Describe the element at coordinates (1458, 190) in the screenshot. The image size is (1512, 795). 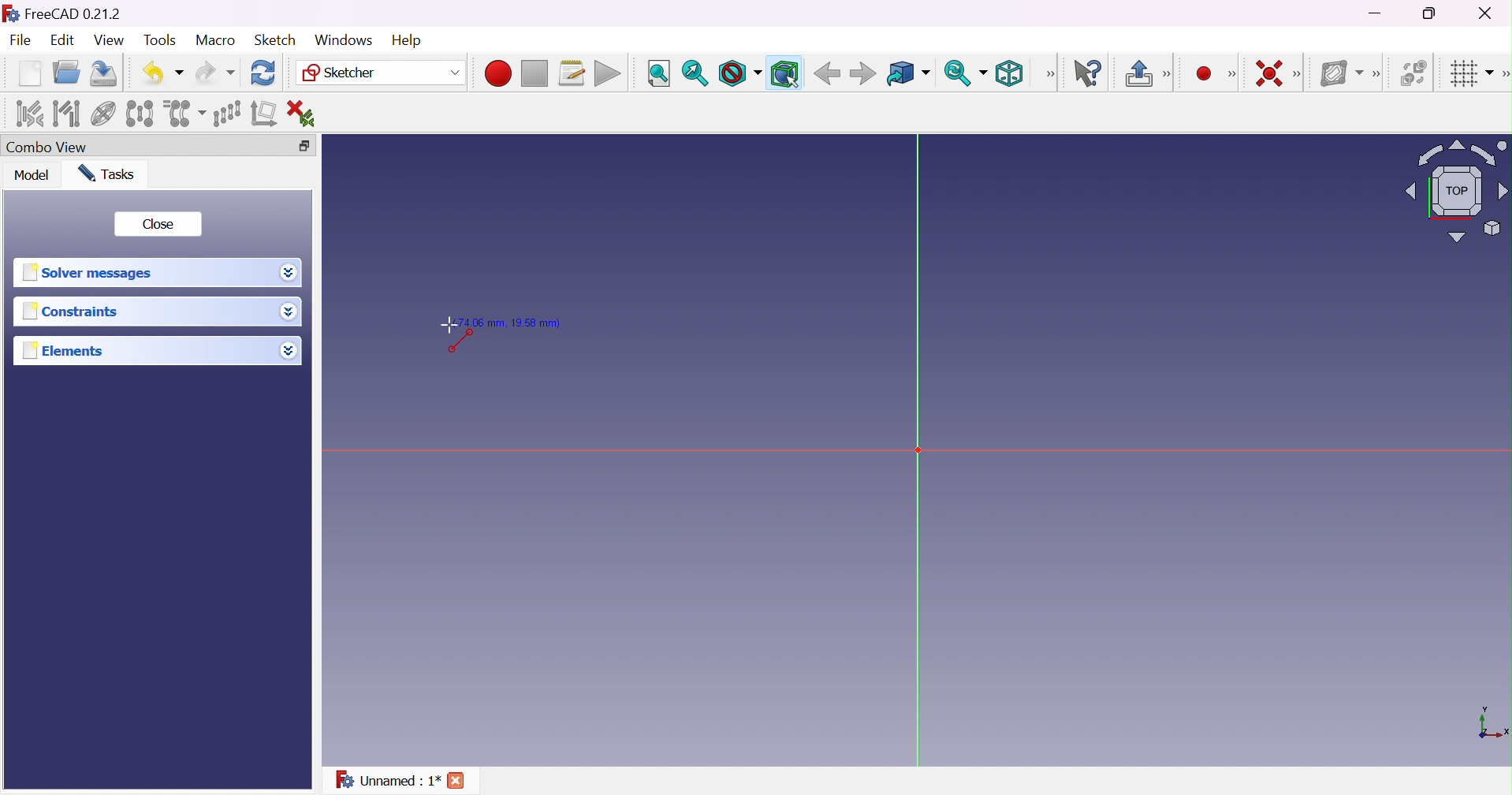
I see `Viewing angle` at that location.